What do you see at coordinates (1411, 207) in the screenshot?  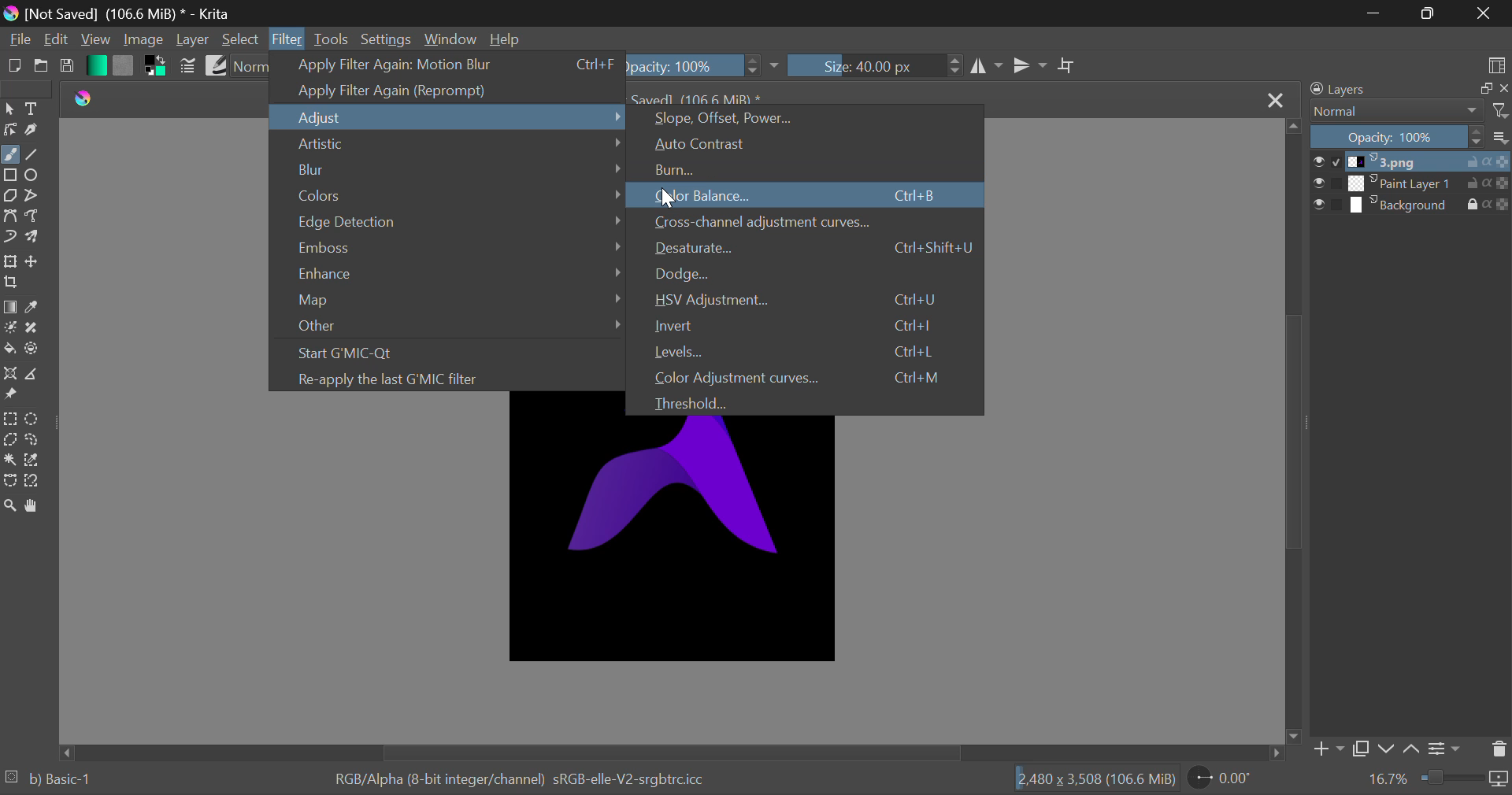 I see `Background` at bounding box center [1411, 207].